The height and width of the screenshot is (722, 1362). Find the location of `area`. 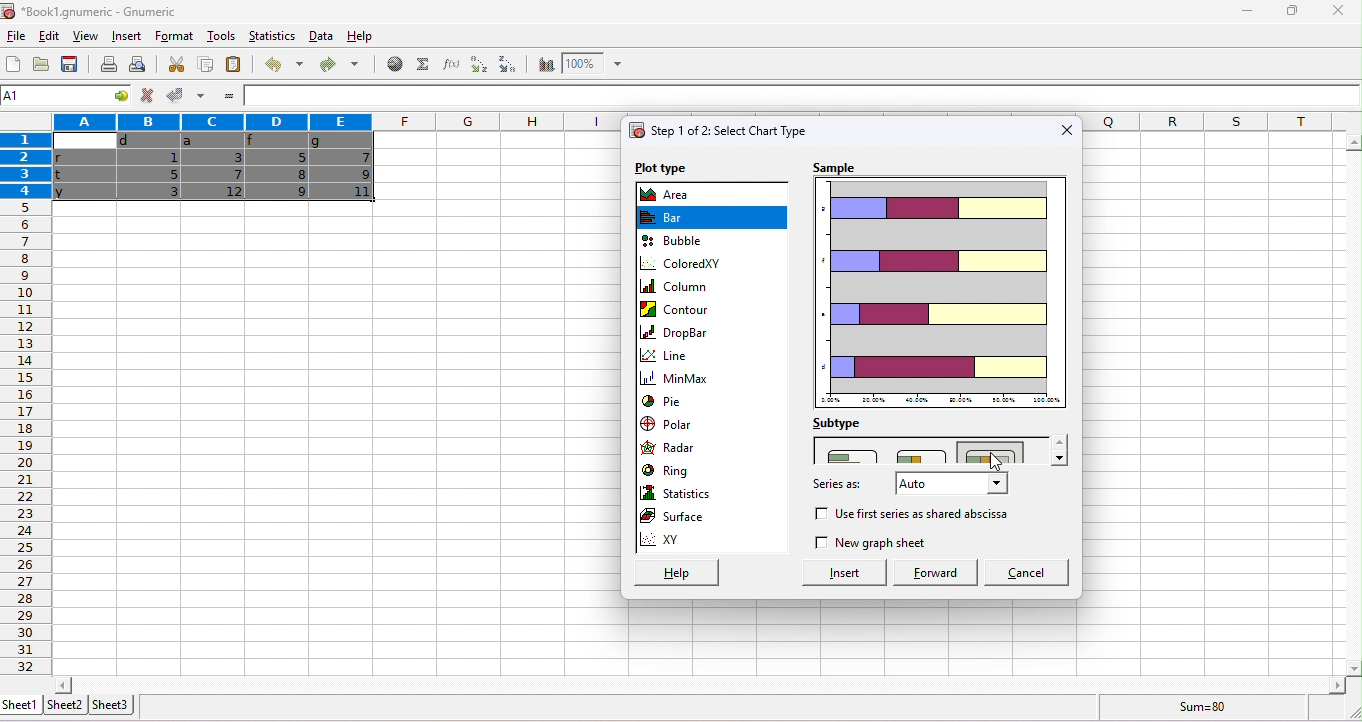

area is located at coordinates (672, 195).